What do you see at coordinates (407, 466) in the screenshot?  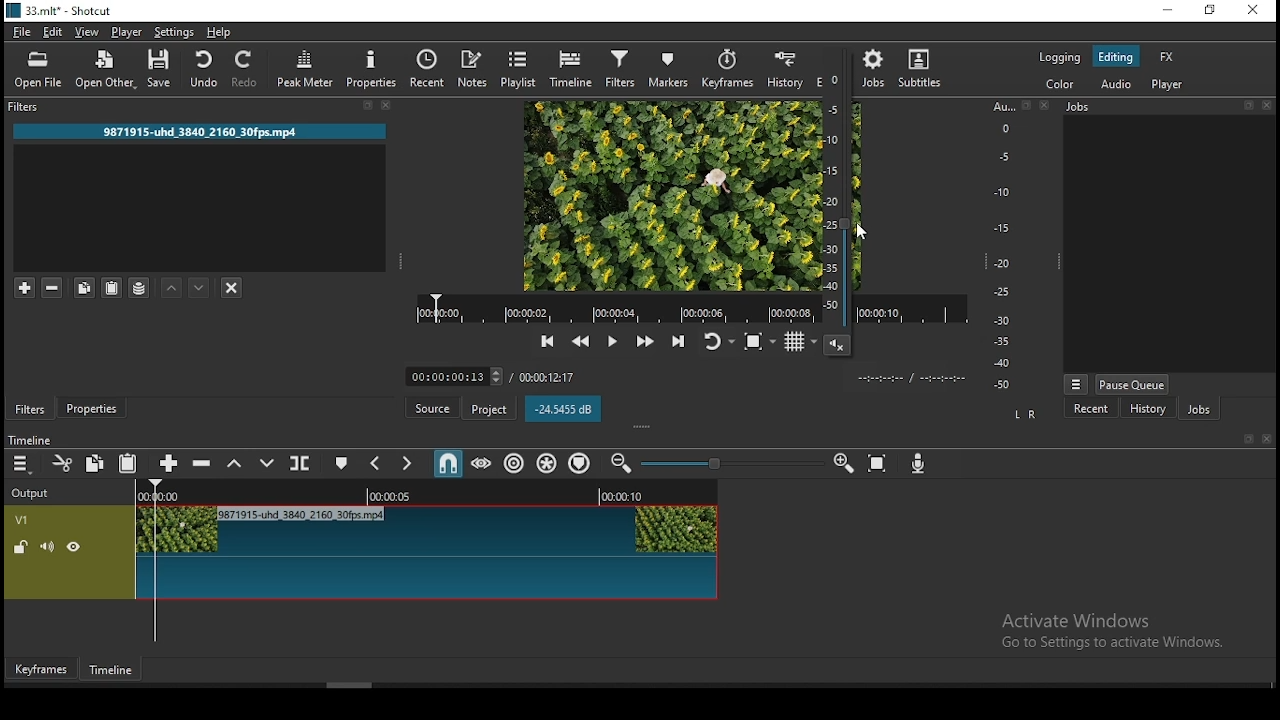 I see `next marker` at bounding box center [407, 466].